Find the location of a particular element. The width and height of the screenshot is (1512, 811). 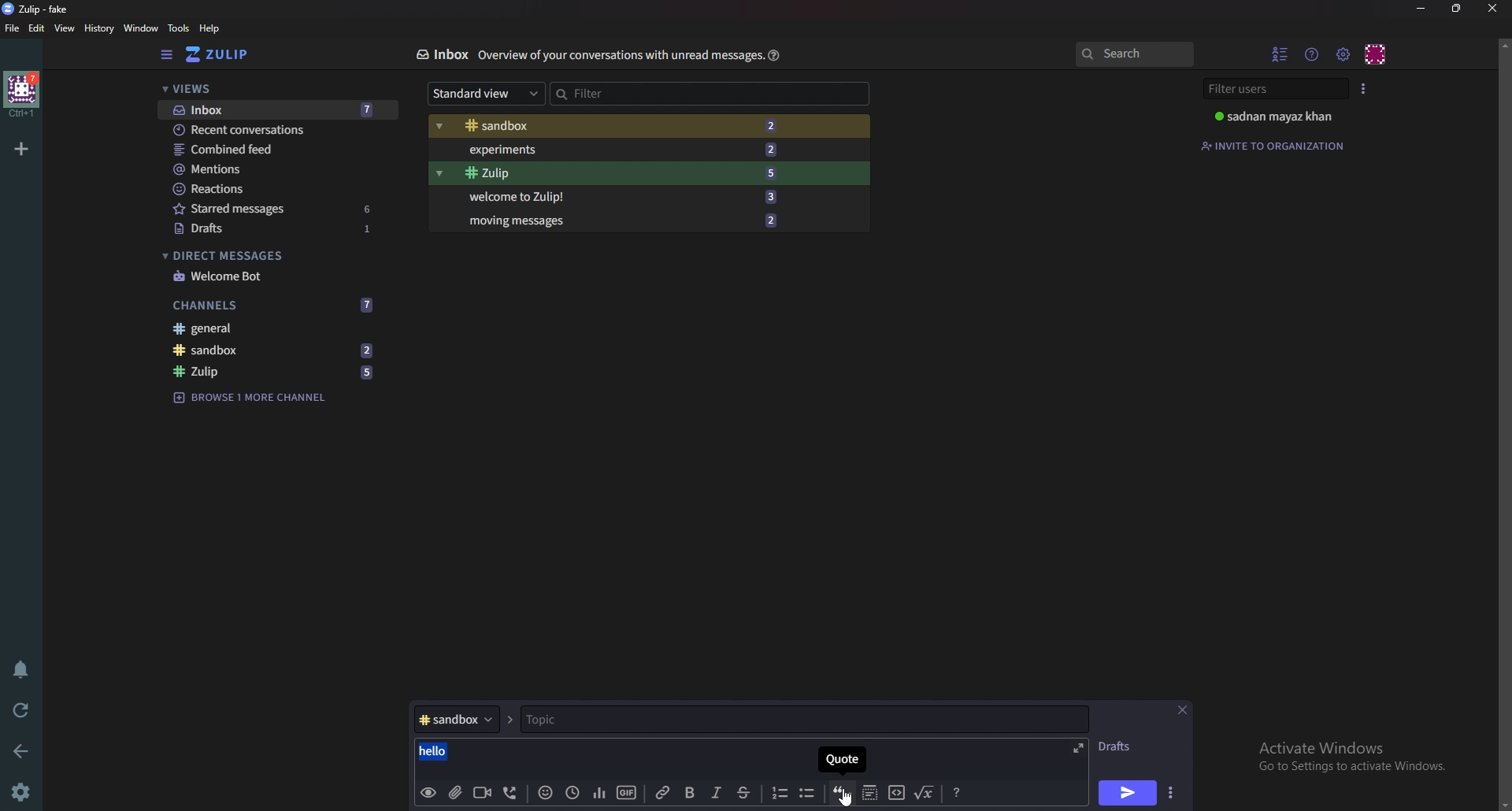

Combined feed is located at coordinates (271, 150).